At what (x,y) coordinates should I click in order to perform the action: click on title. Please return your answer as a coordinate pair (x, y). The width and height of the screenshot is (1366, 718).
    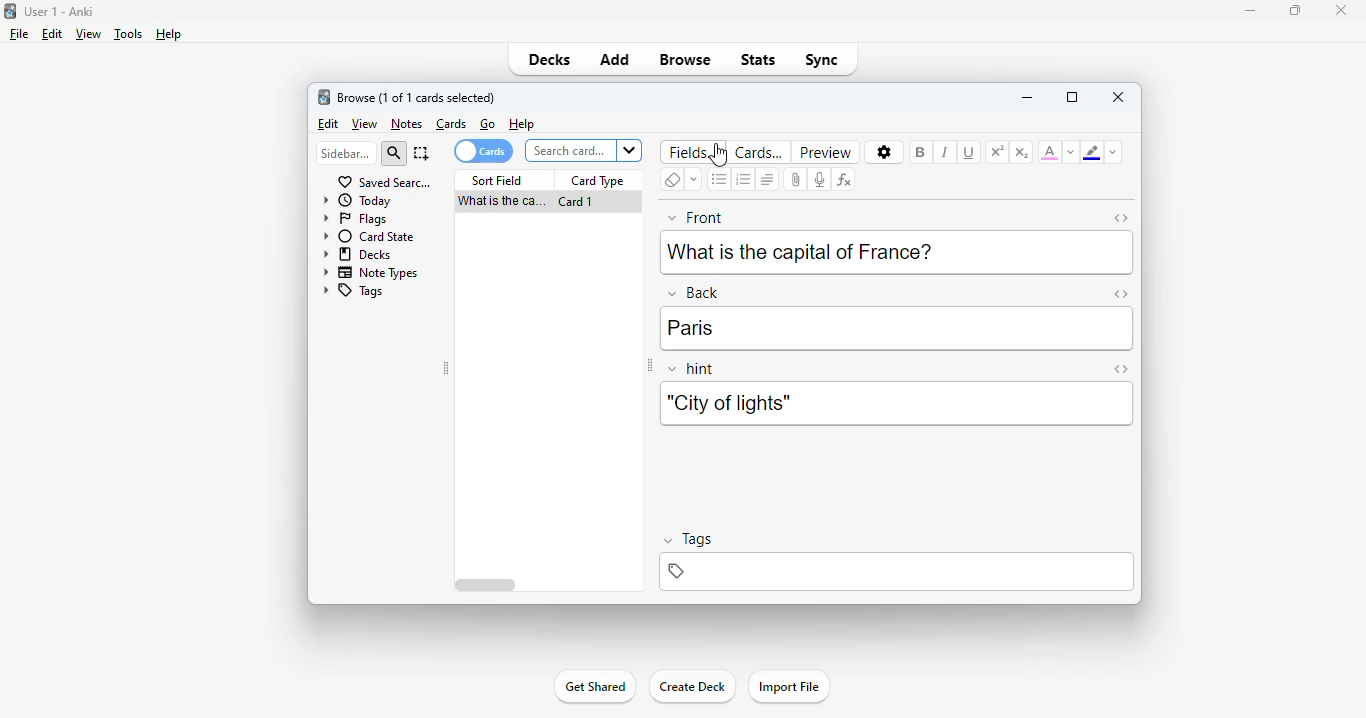
    Looking at the image, I should click on (60, 11).